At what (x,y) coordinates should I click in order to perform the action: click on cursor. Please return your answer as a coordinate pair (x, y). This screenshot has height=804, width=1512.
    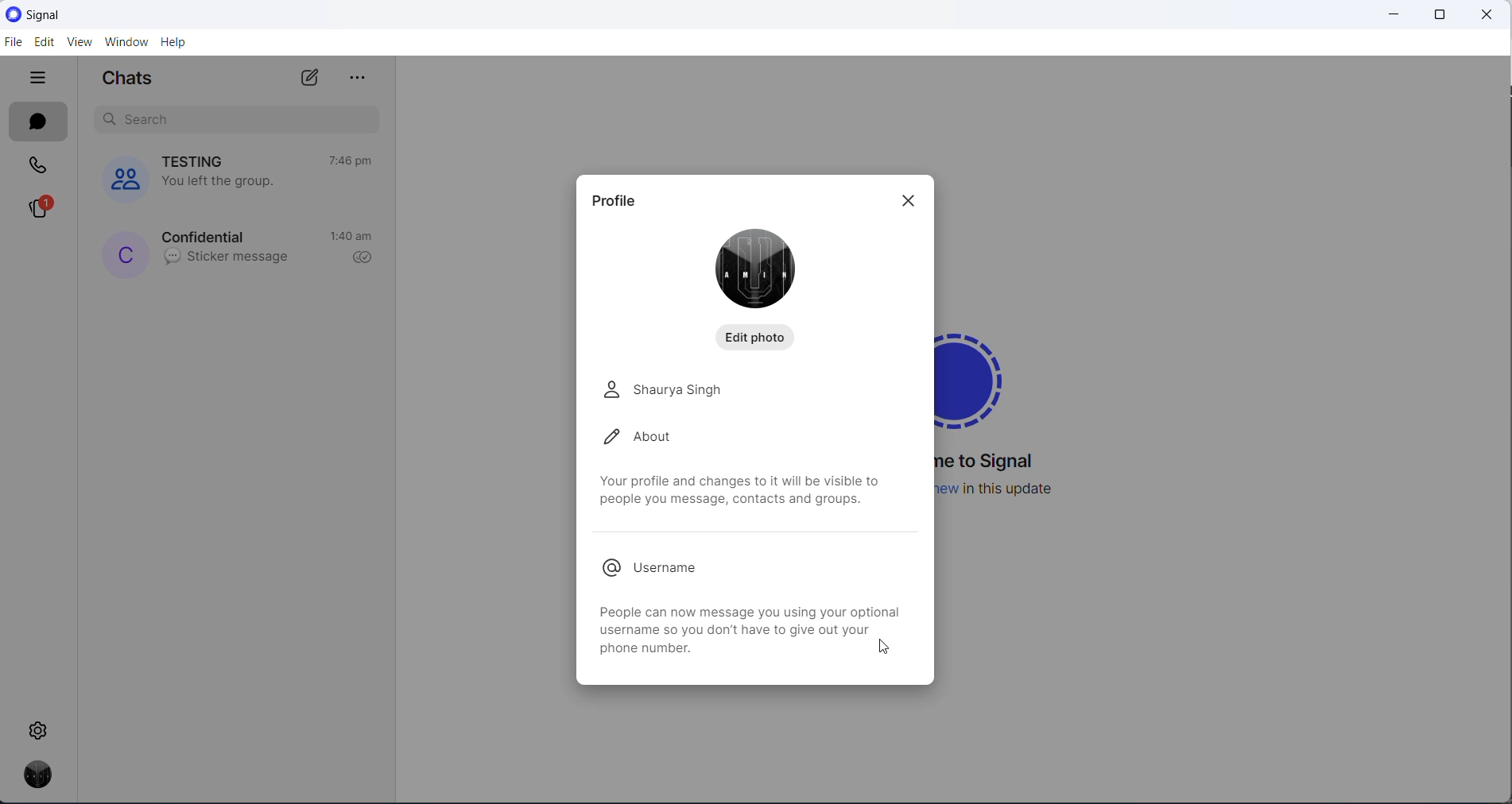
    Looking at the image, I should click on (888, 650).